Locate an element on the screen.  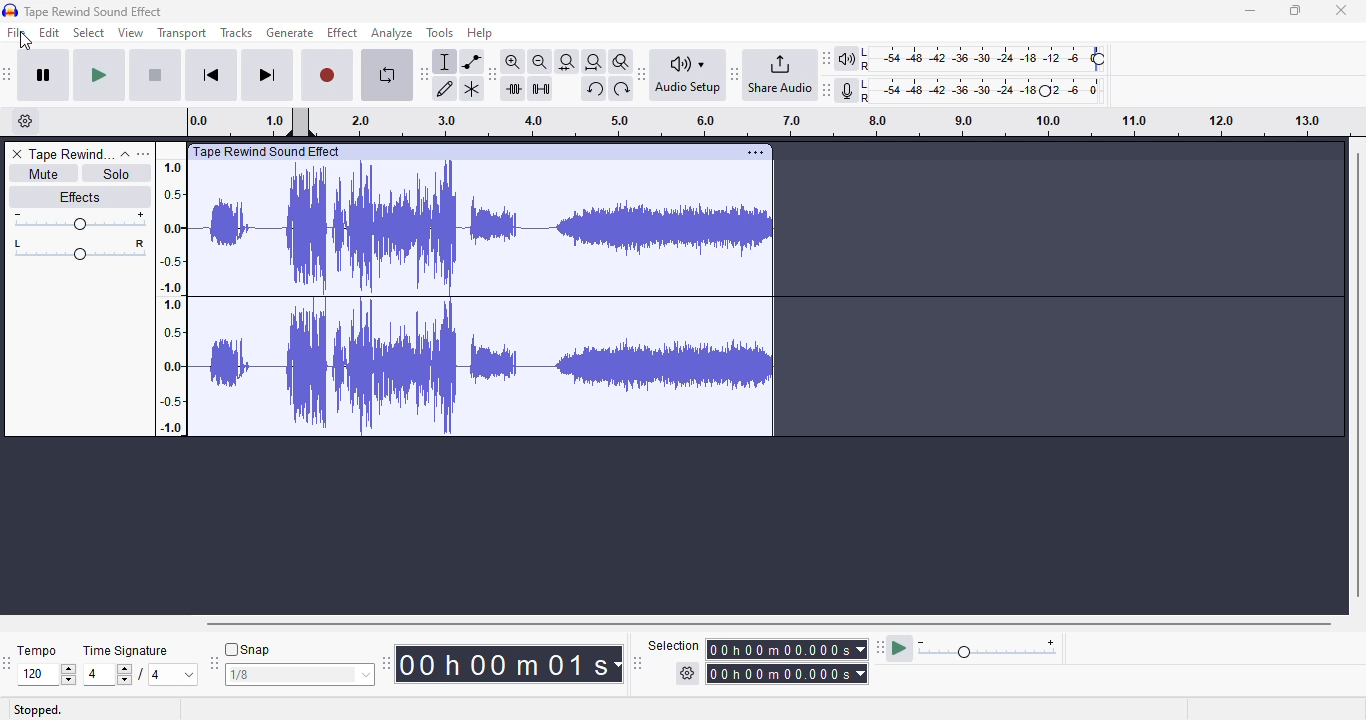
help is located at coordinates (480, 33).